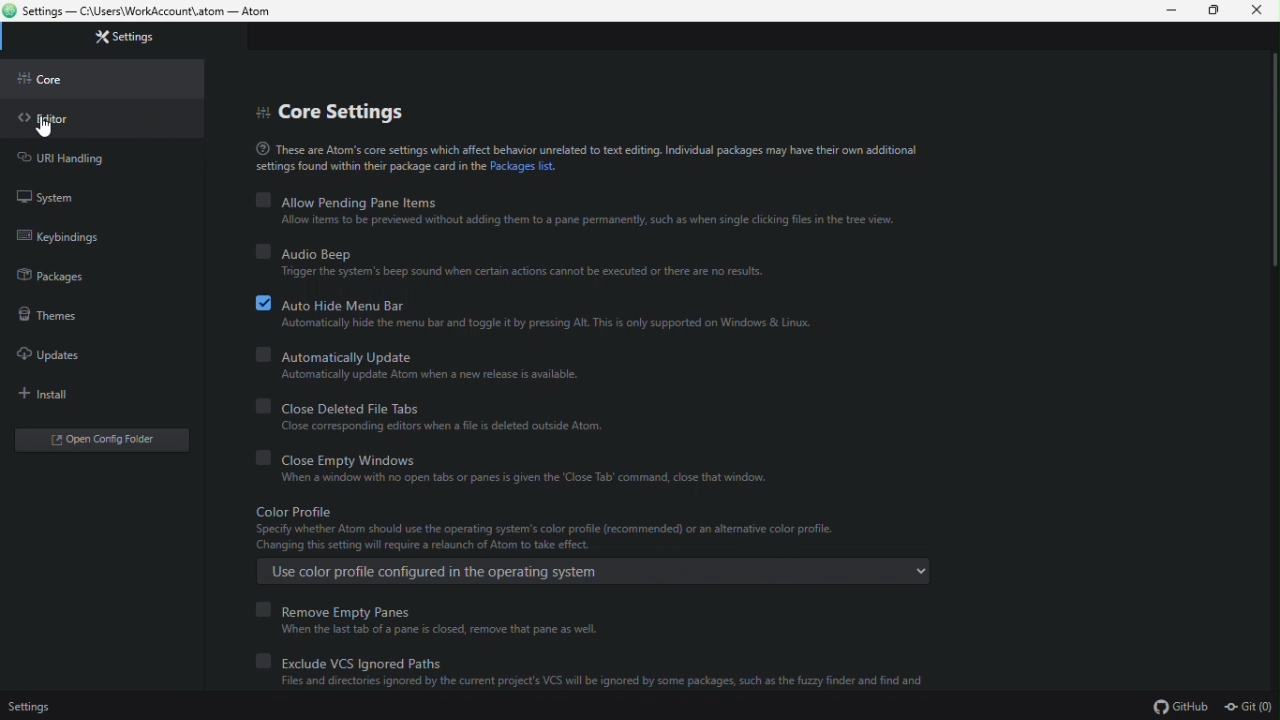 The image size is (1280, 720). Describe the element at coordinates (29, 706) in the screenshot. I see `settings` at that location.